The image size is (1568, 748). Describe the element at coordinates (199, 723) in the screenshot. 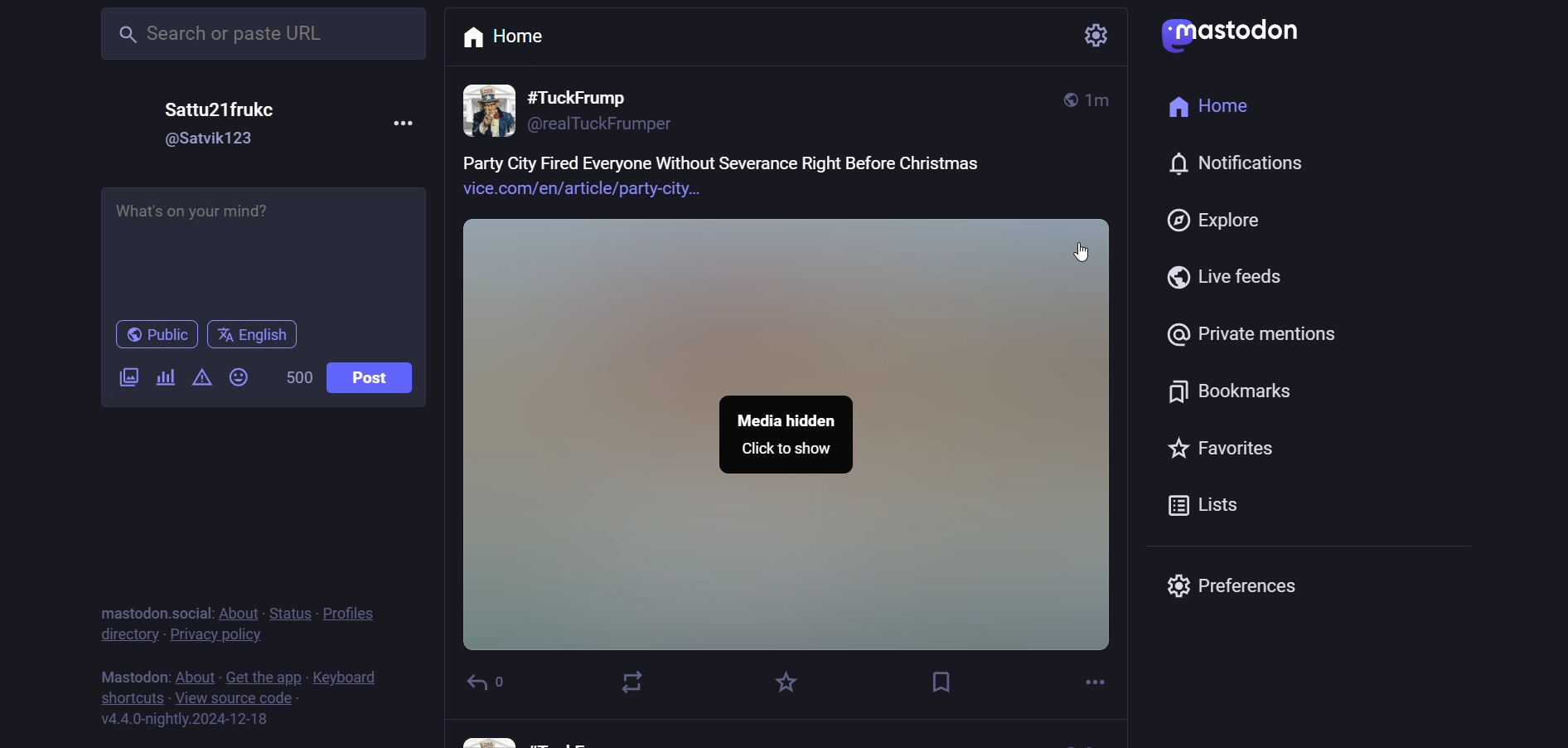

I see `Version` at that location.